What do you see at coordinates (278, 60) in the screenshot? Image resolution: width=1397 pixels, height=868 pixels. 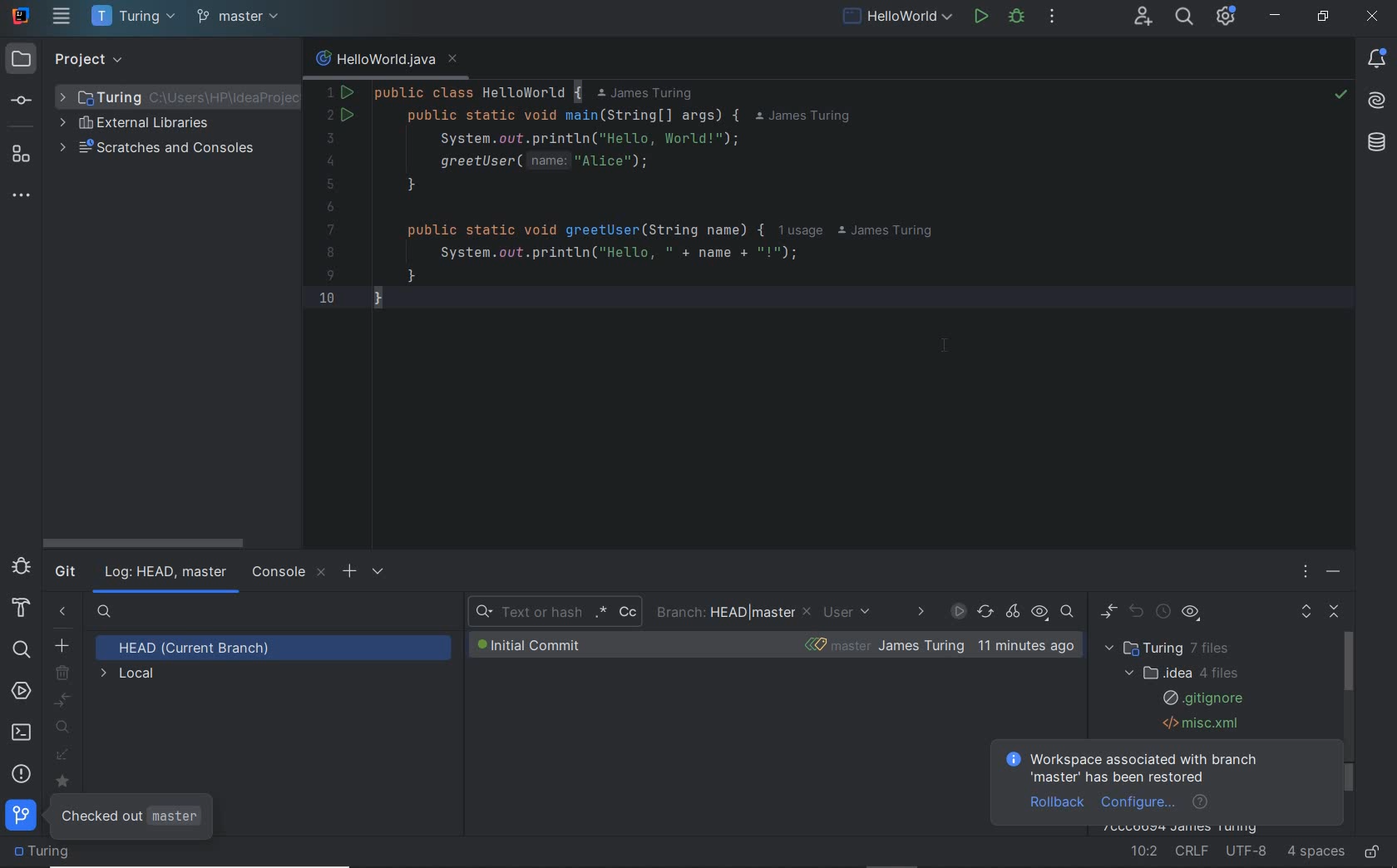 I see `hide` at bounding box center [278, 60].